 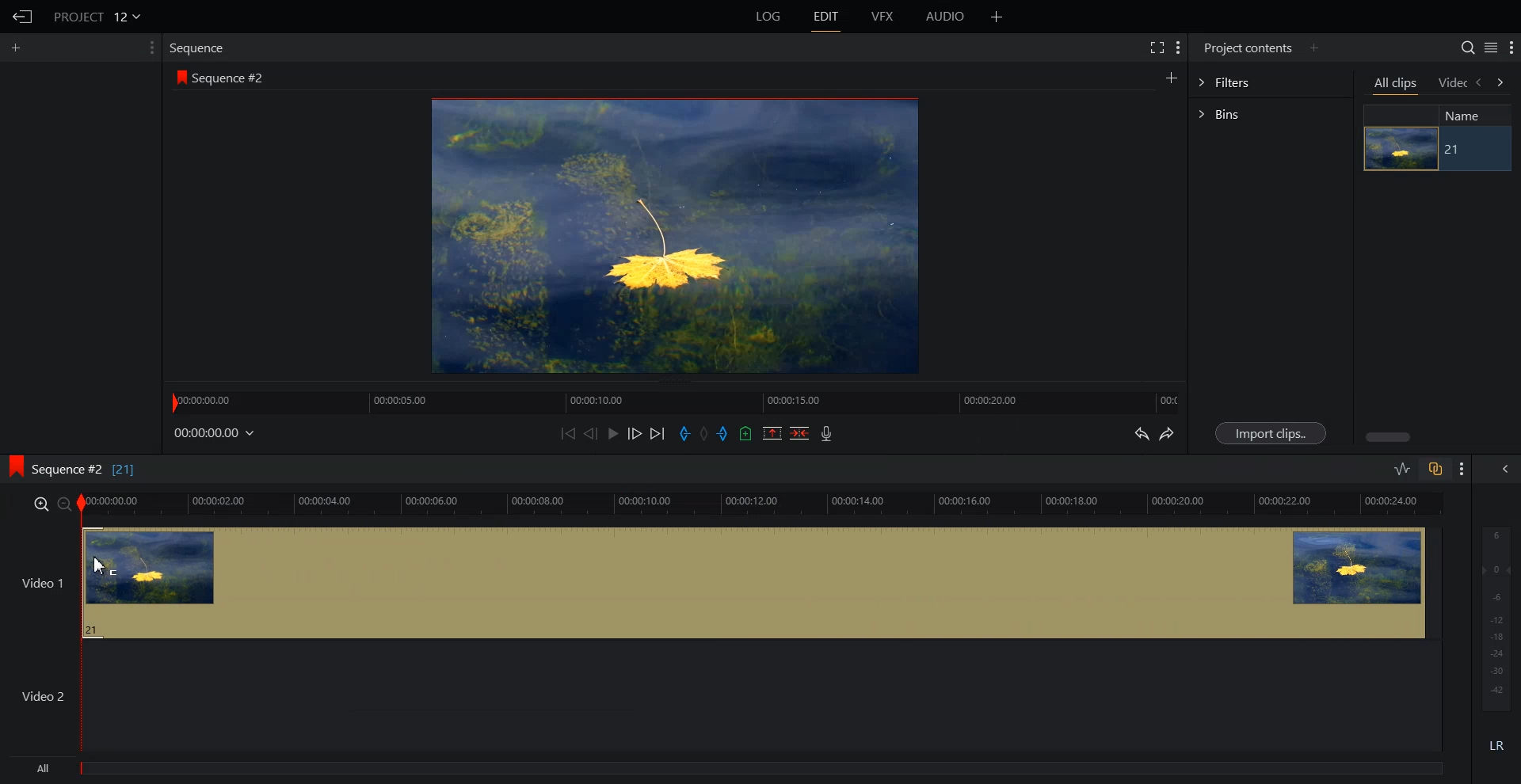 I want to click on image, so click(x=1401, y=149).